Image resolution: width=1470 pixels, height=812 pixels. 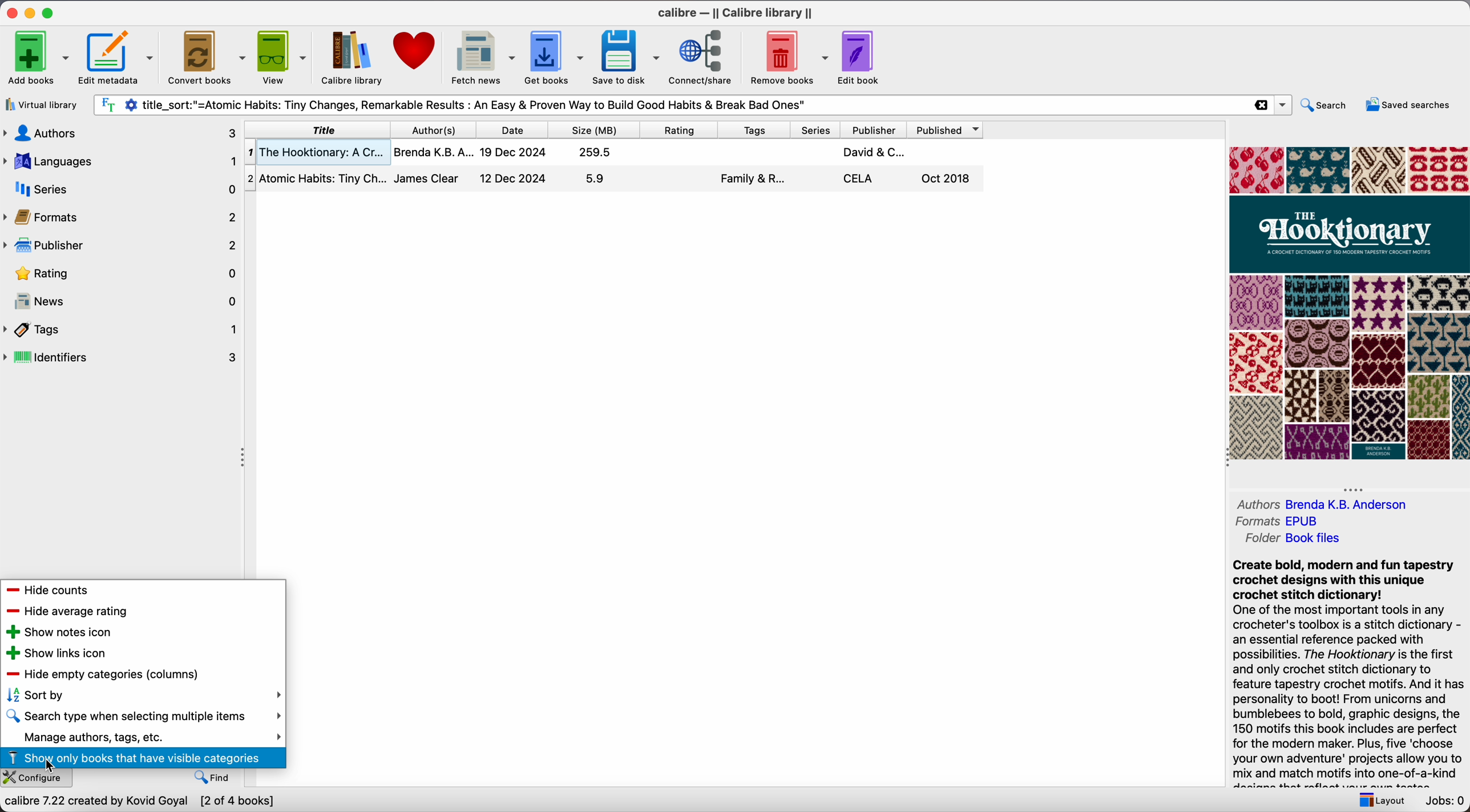 What do you see at coordinates (30, 11) in the screenshot?
I see `minimize` at bounding box center [30, 11].